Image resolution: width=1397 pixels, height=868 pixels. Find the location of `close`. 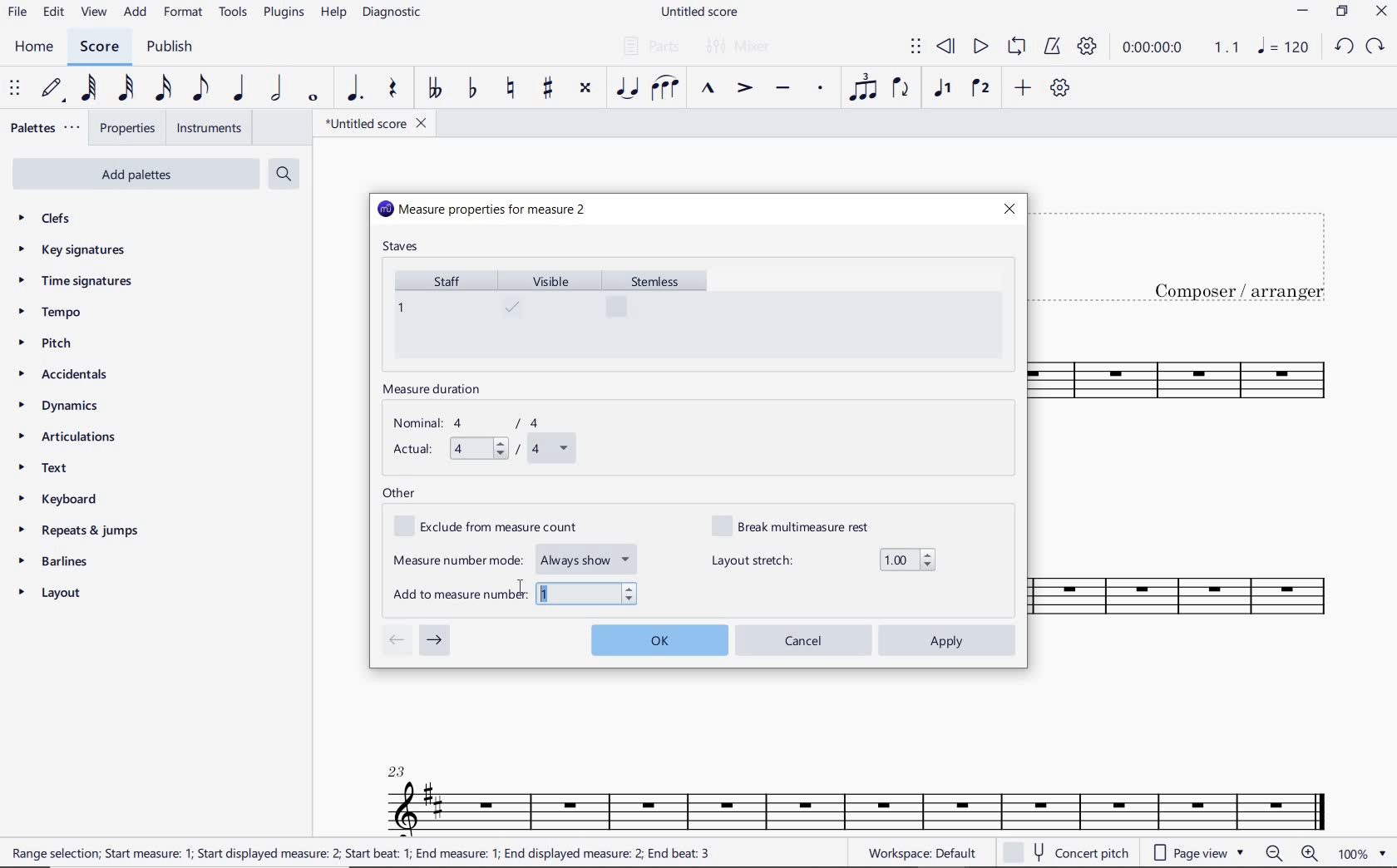

close is located at coordinates (1009, 209).